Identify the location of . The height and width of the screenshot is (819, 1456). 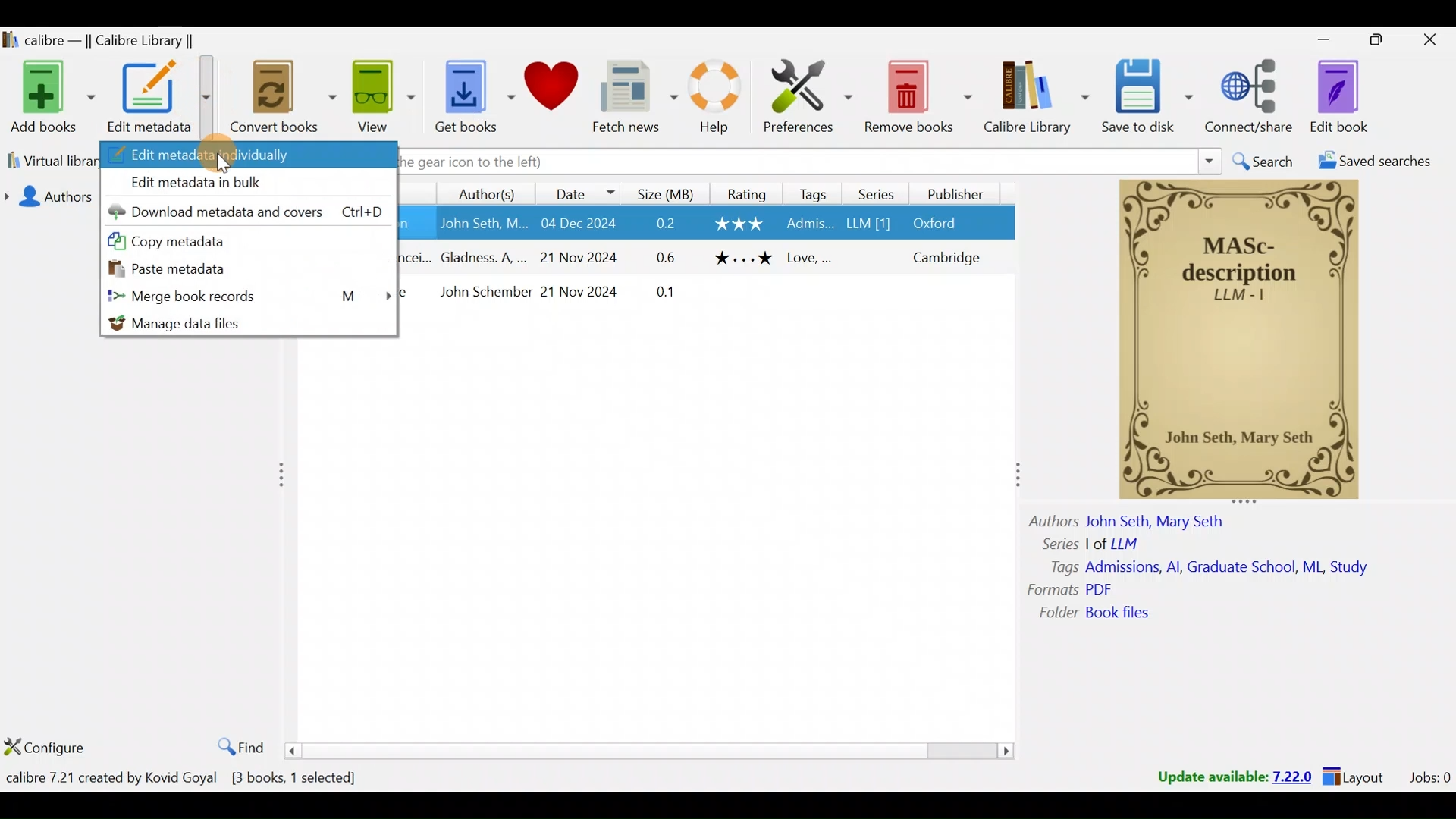
(1158, 523).